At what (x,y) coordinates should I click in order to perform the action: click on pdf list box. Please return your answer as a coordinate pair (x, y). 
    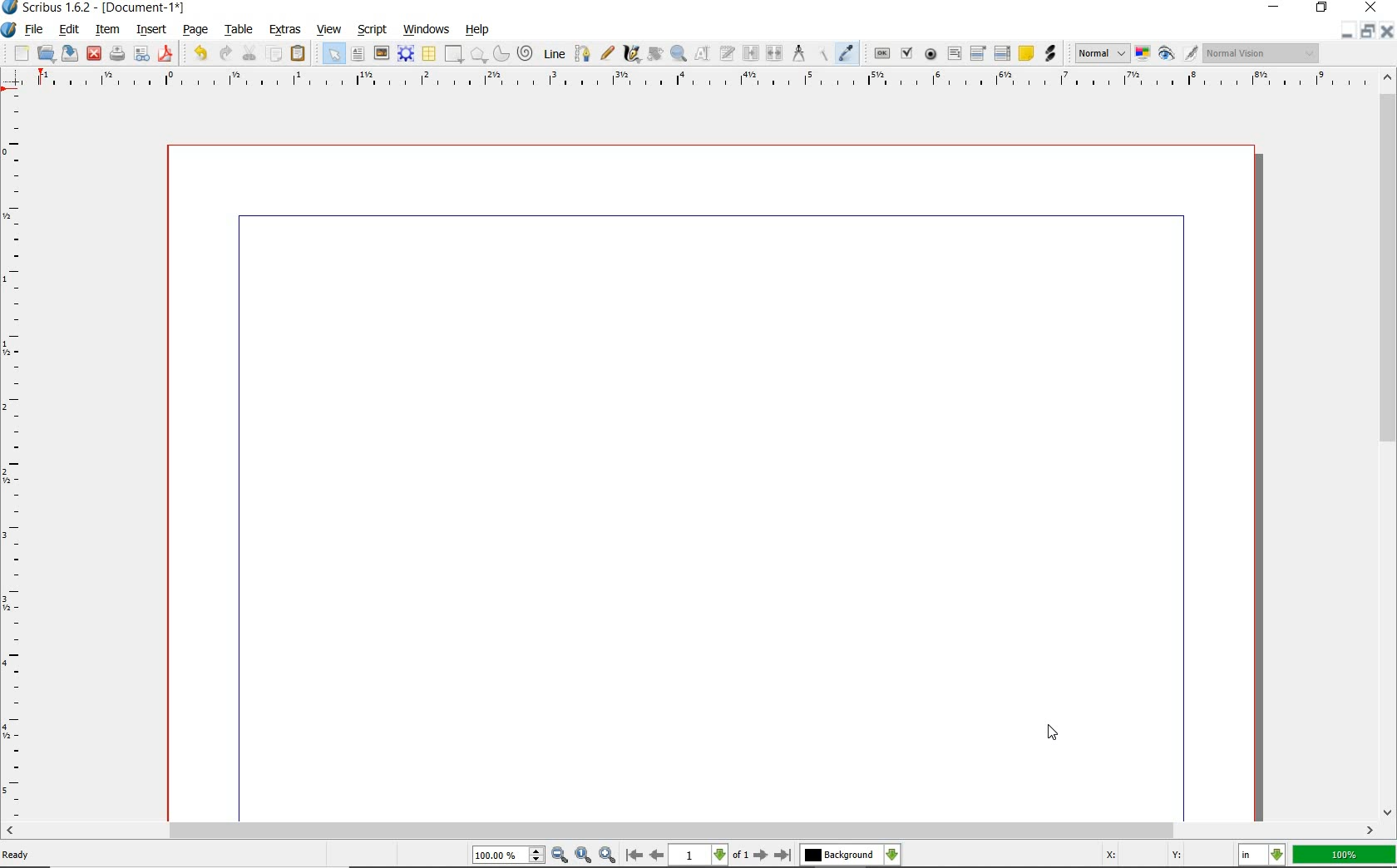
    Looking at the image, I should click on (1001, 54).